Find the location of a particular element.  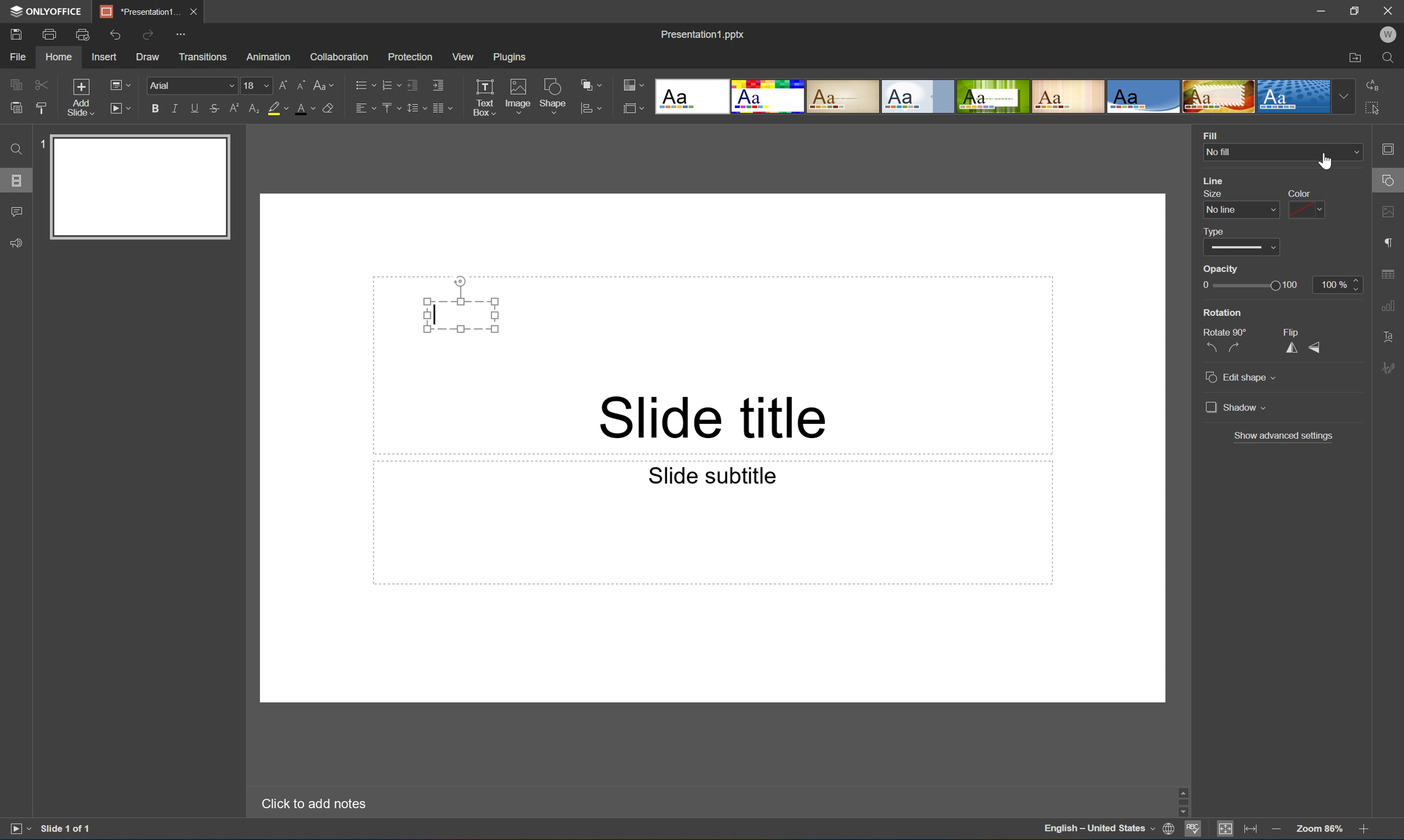

Copy style is located at coordinates (41, 108).